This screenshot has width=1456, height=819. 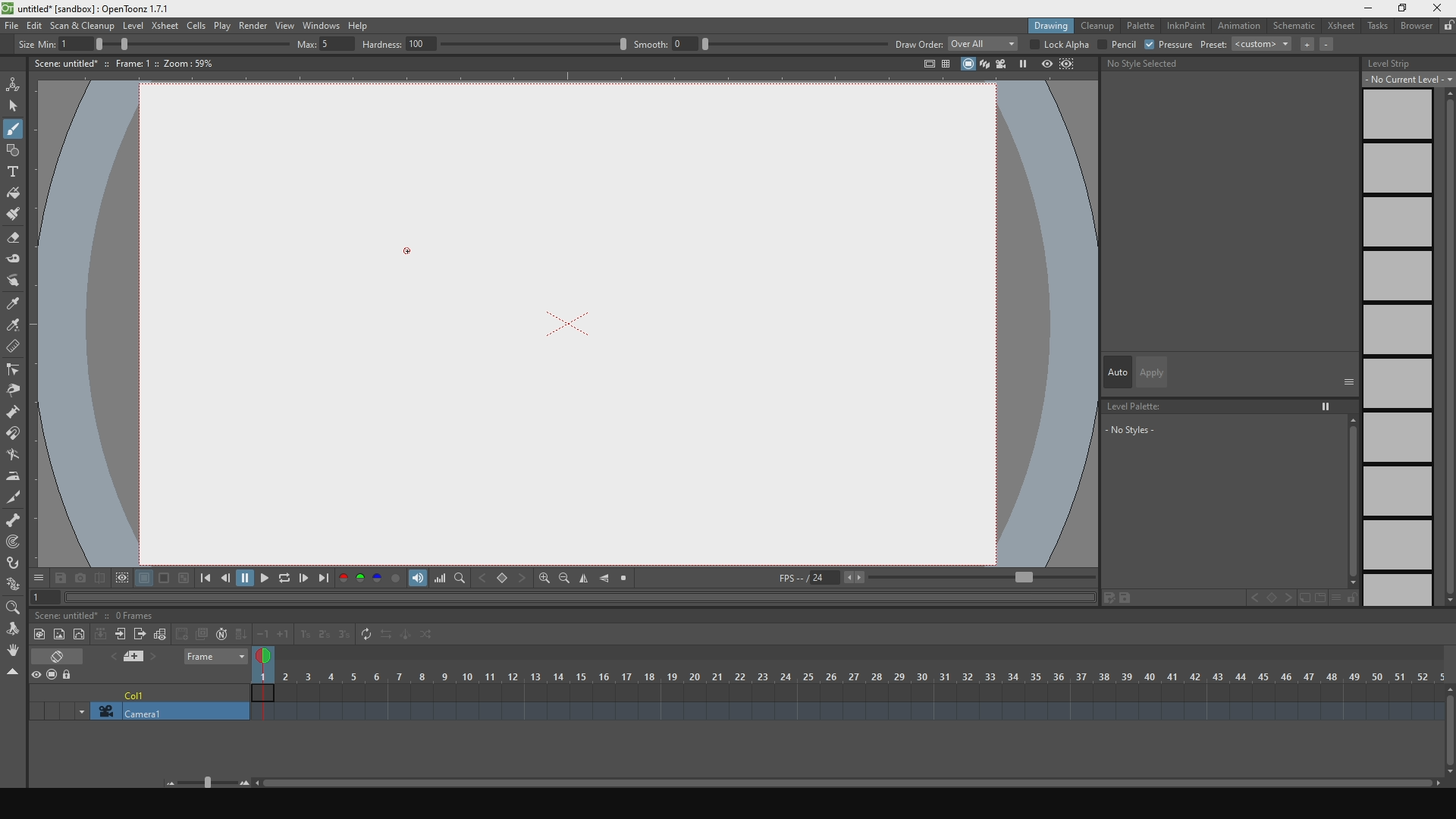 I want to click on no current level, so click(x=1401, y=80).